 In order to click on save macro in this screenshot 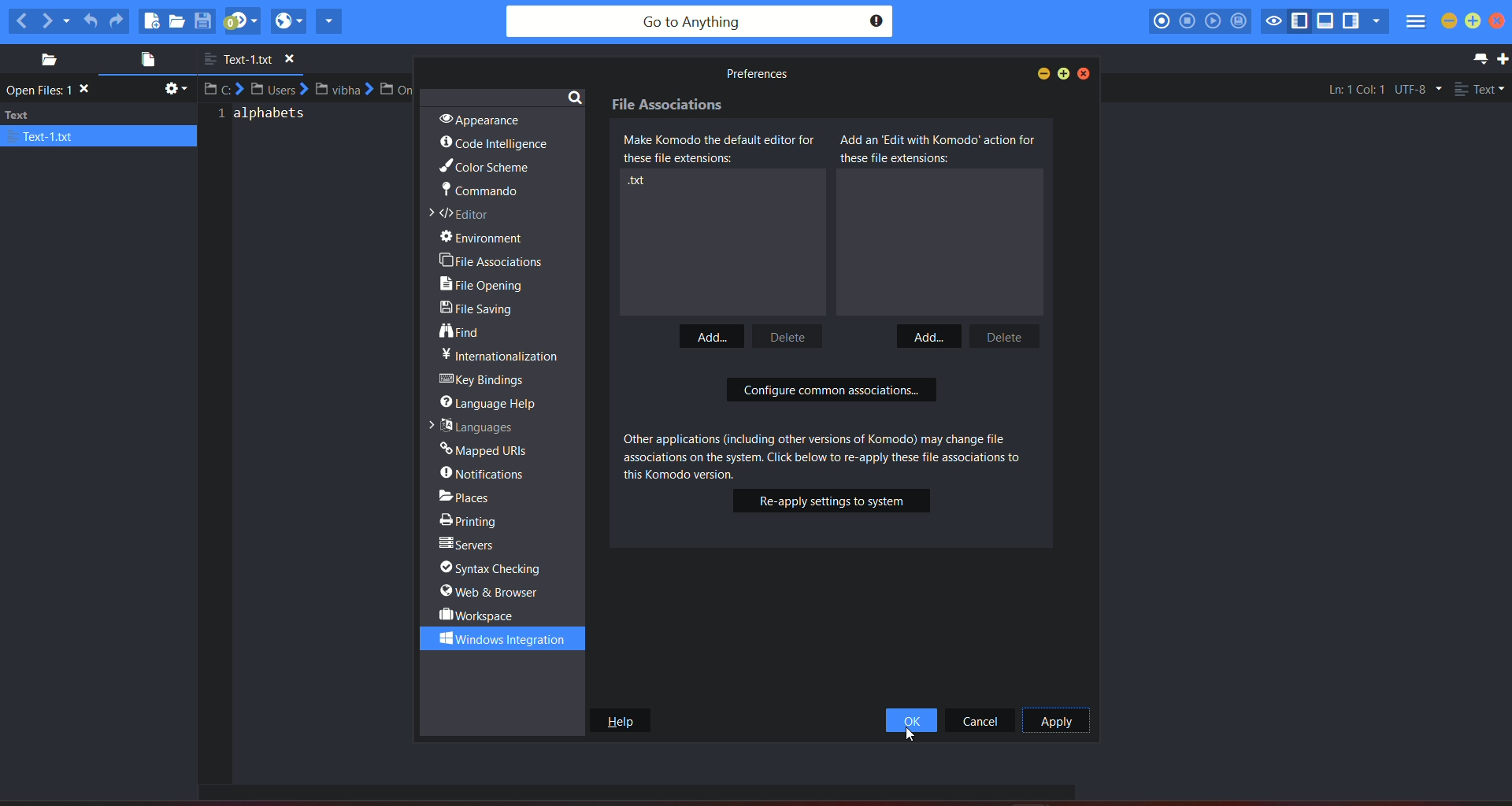, I will do `click(1239, 22)`.